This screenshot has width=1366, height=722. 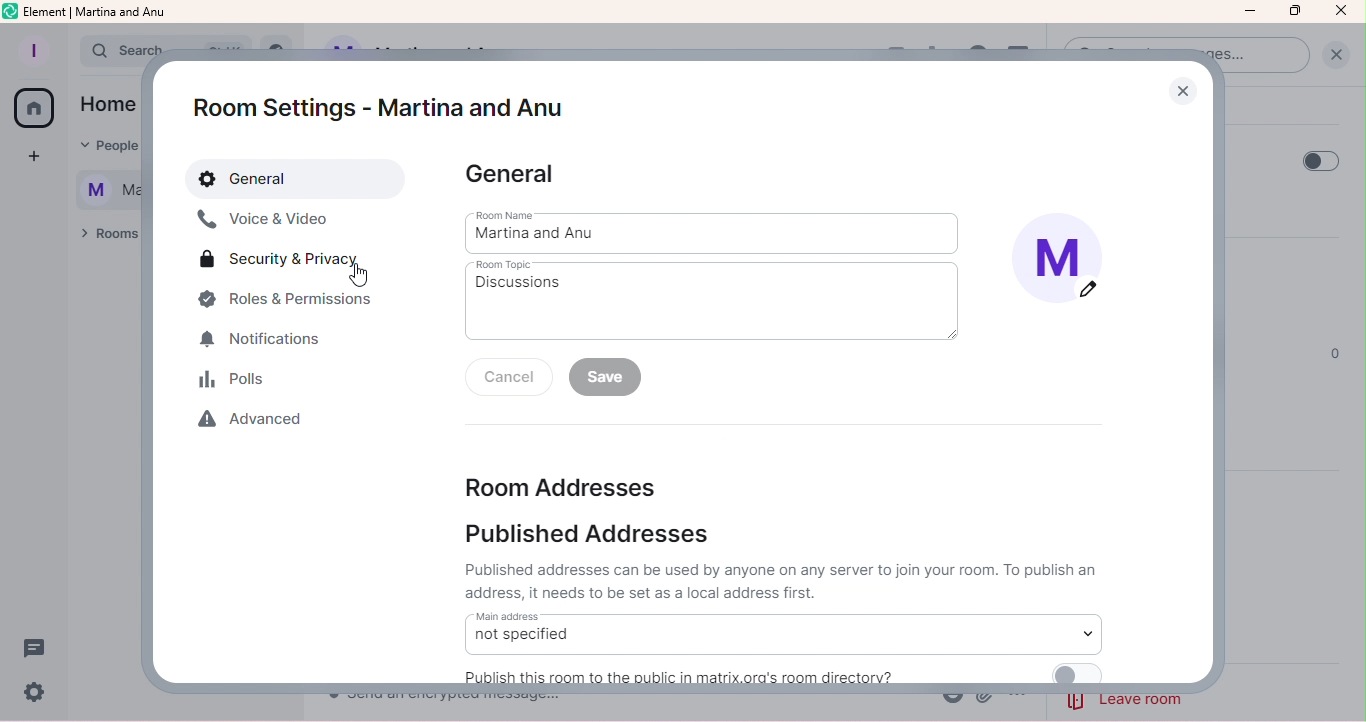 What do you see at coordinates (1296, 11) in the screenshot?
I see `Maximize` at bounding box center [1296, 11].